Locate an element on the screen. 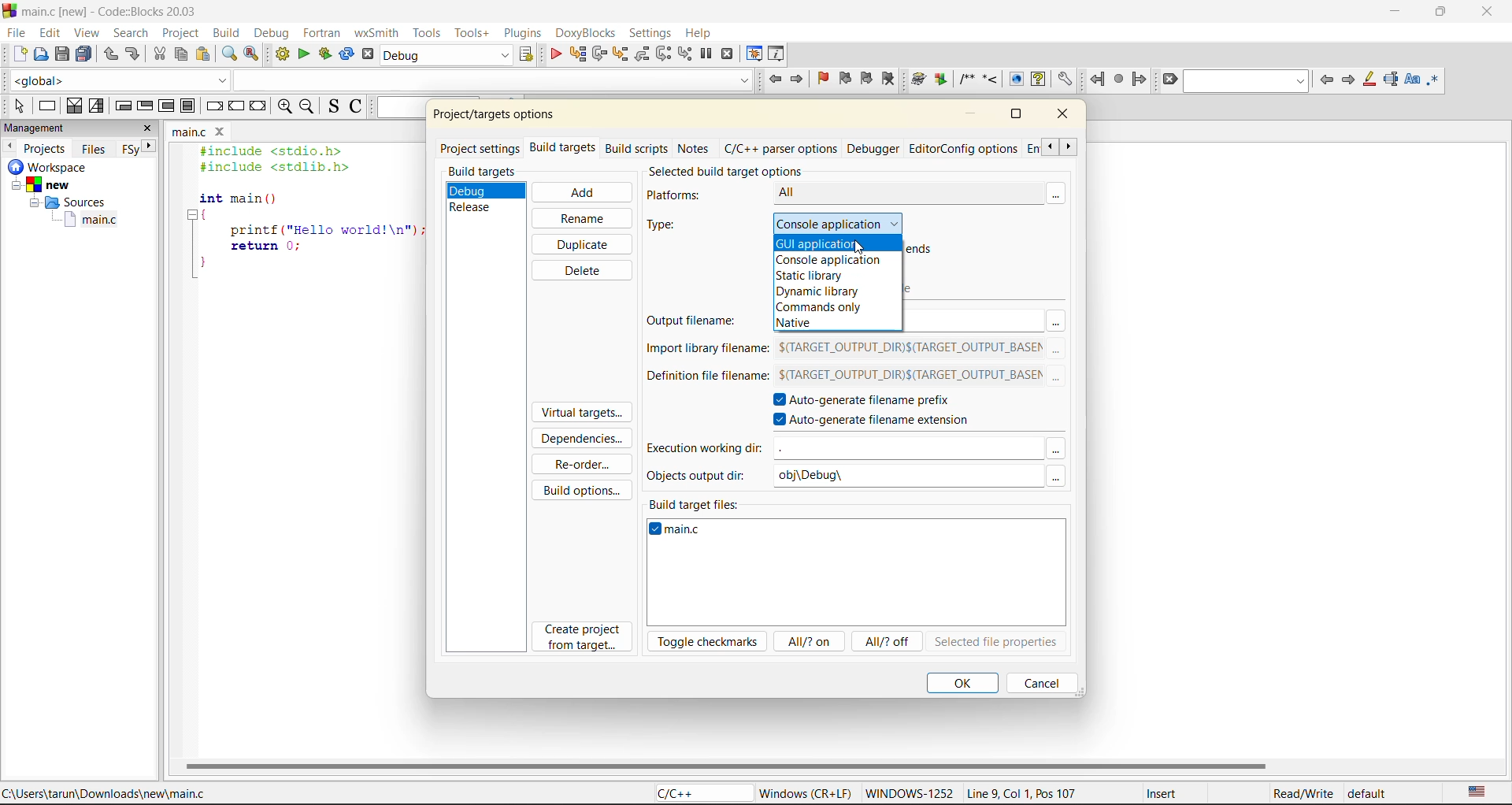 Image resolution: width=1512 pixels, height=805 pixels. files is located at coordinates (94, 148).